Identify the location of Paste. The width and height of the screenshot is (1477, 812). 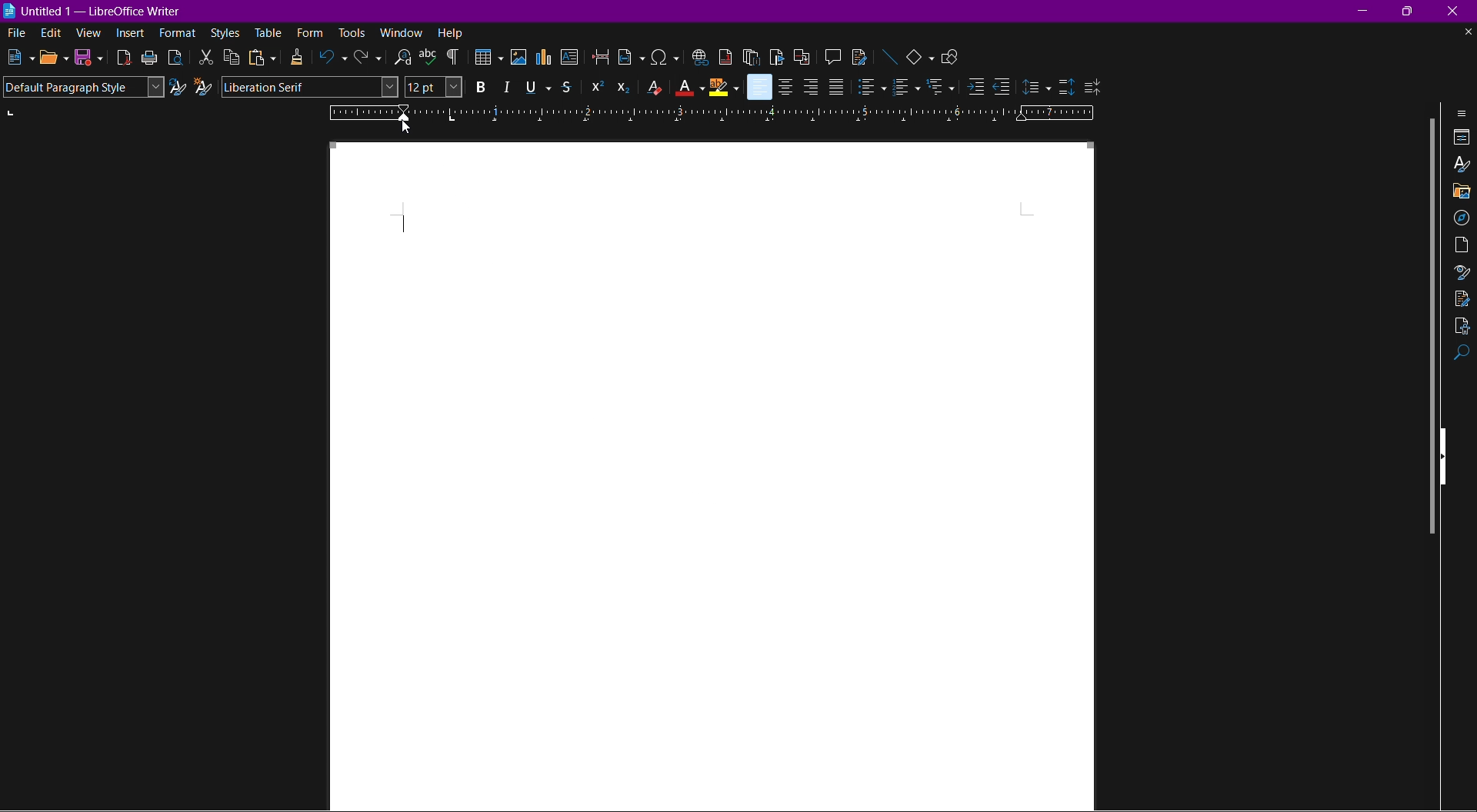
(261, 58).